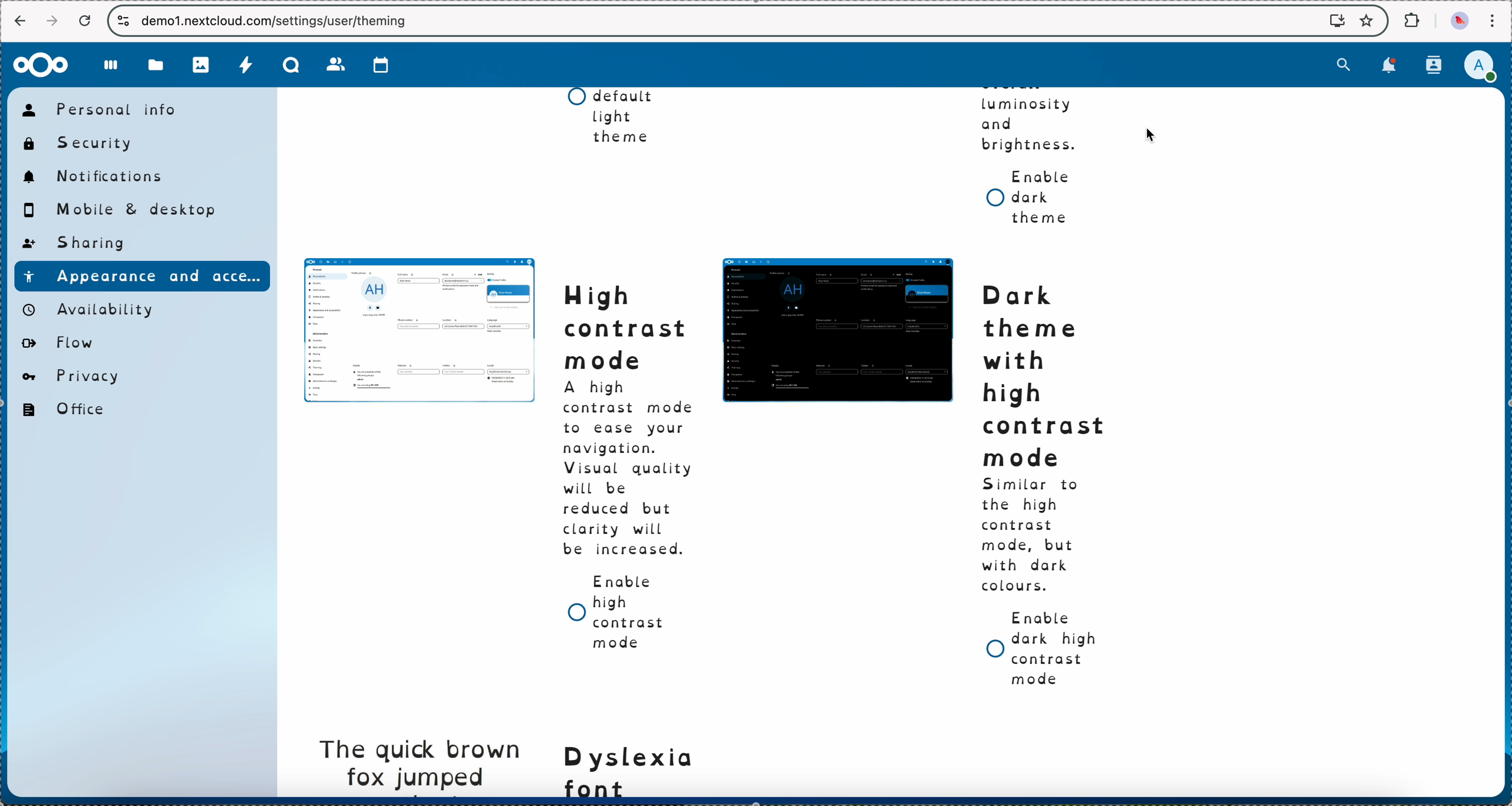 This screenshot has height=806, width=1512. What do you see at coordinates (121, 21) in the screenshot?
I see `controls` at bounding box center [121, 21].